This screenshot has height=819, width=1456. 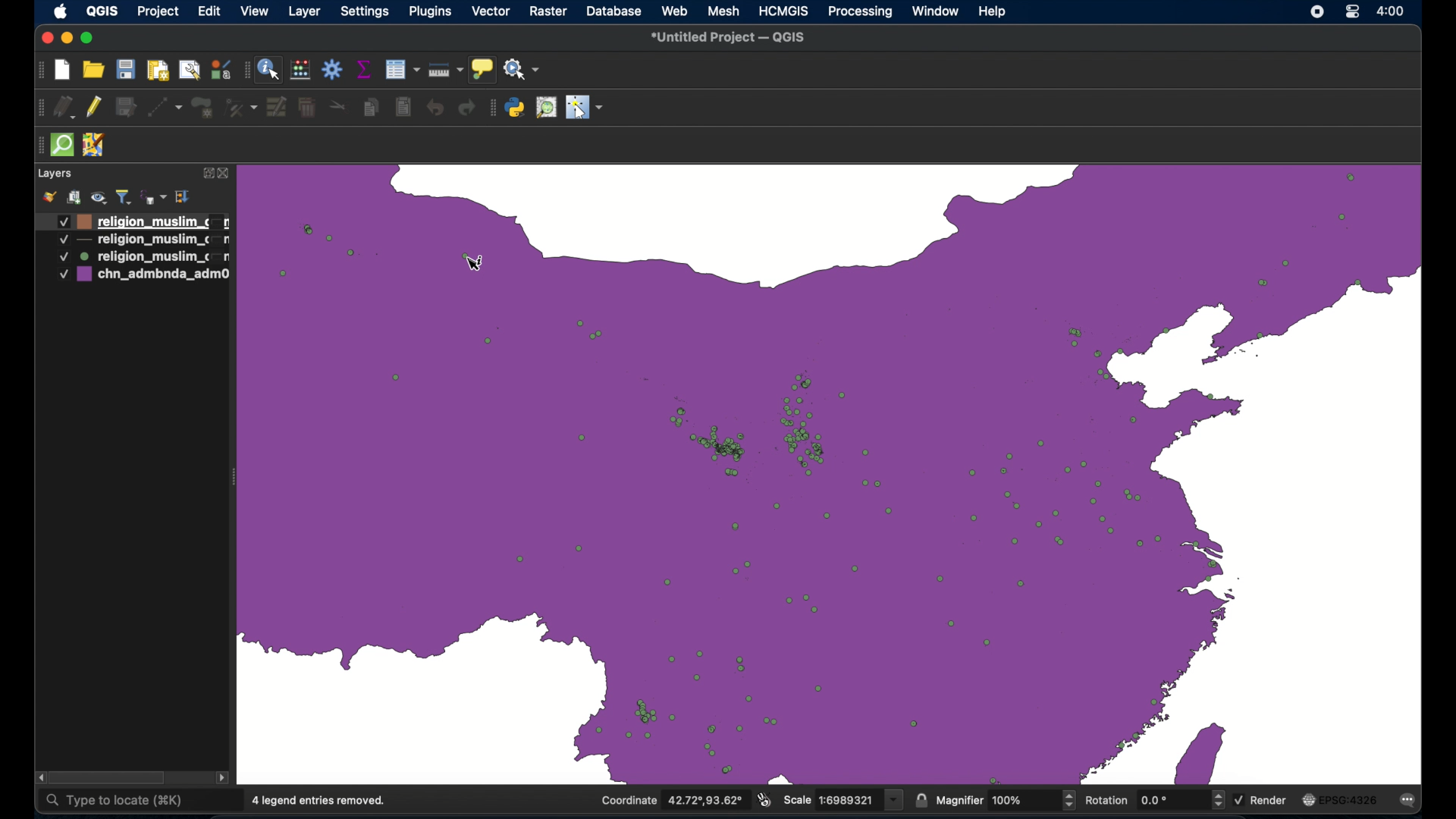 What do you see at coordinates (547, 11) in the screenshot?
I see `raster` at bounding box center [547, 11].